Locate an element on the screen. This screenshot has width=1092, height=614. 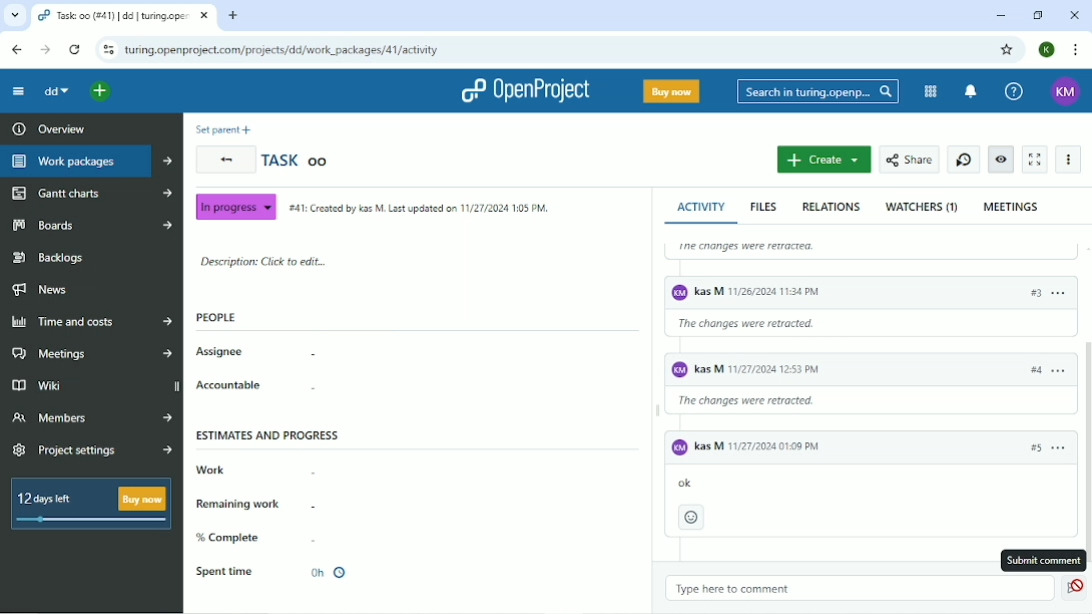
Time and costs is located at coordinates (90, 321).